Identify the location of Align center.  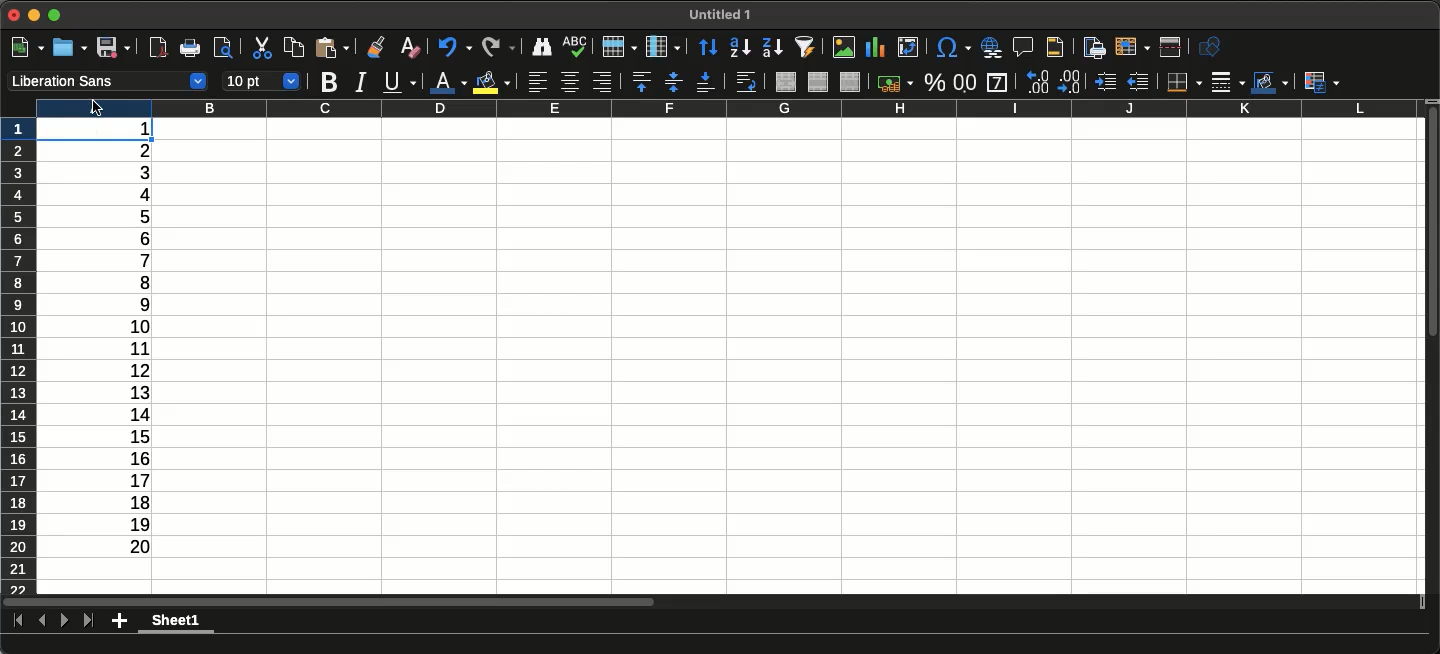
(570, 82).